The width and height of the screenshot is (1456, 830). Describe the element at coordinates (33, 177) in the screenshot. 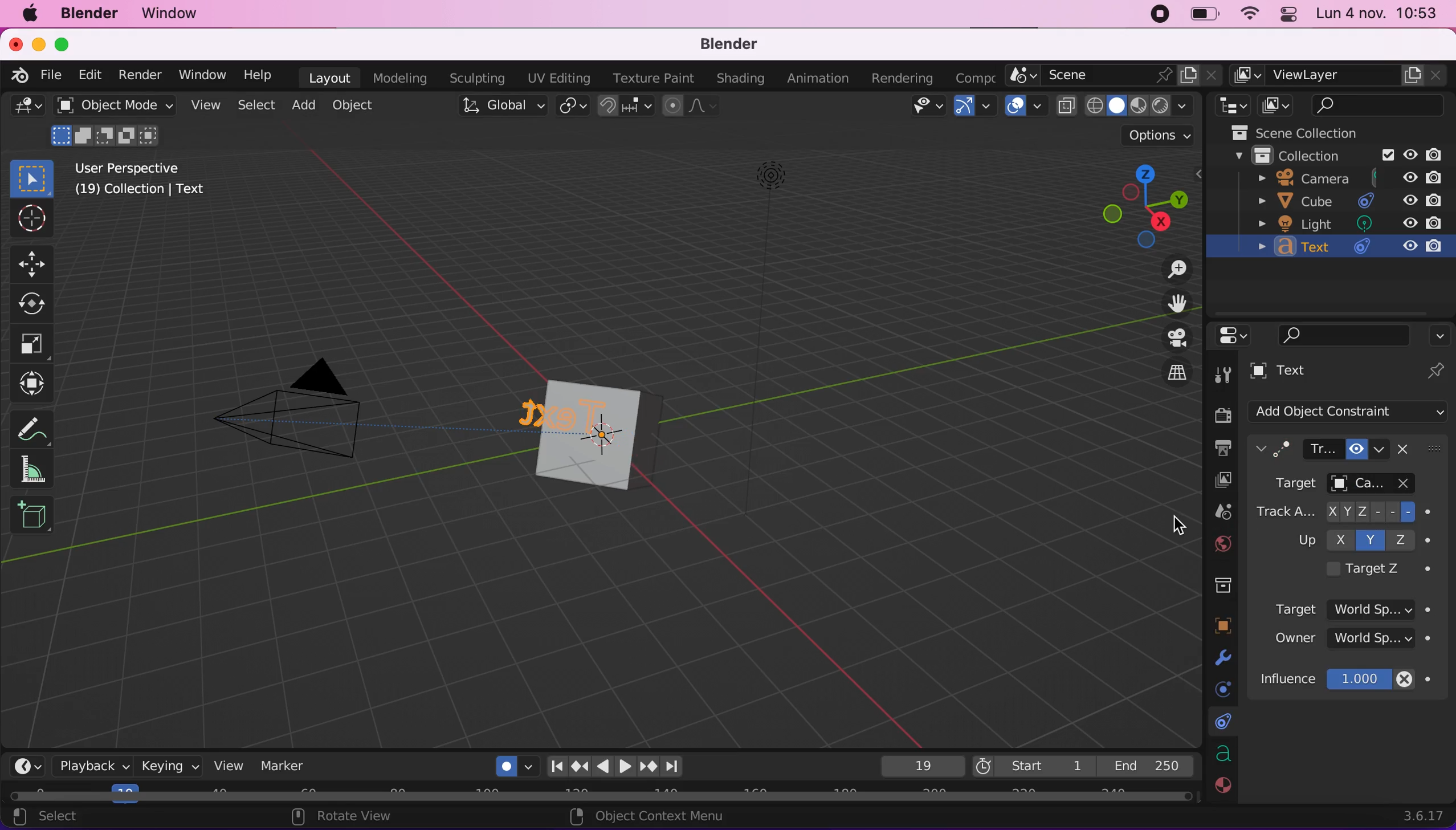

I see `select box` at that location.